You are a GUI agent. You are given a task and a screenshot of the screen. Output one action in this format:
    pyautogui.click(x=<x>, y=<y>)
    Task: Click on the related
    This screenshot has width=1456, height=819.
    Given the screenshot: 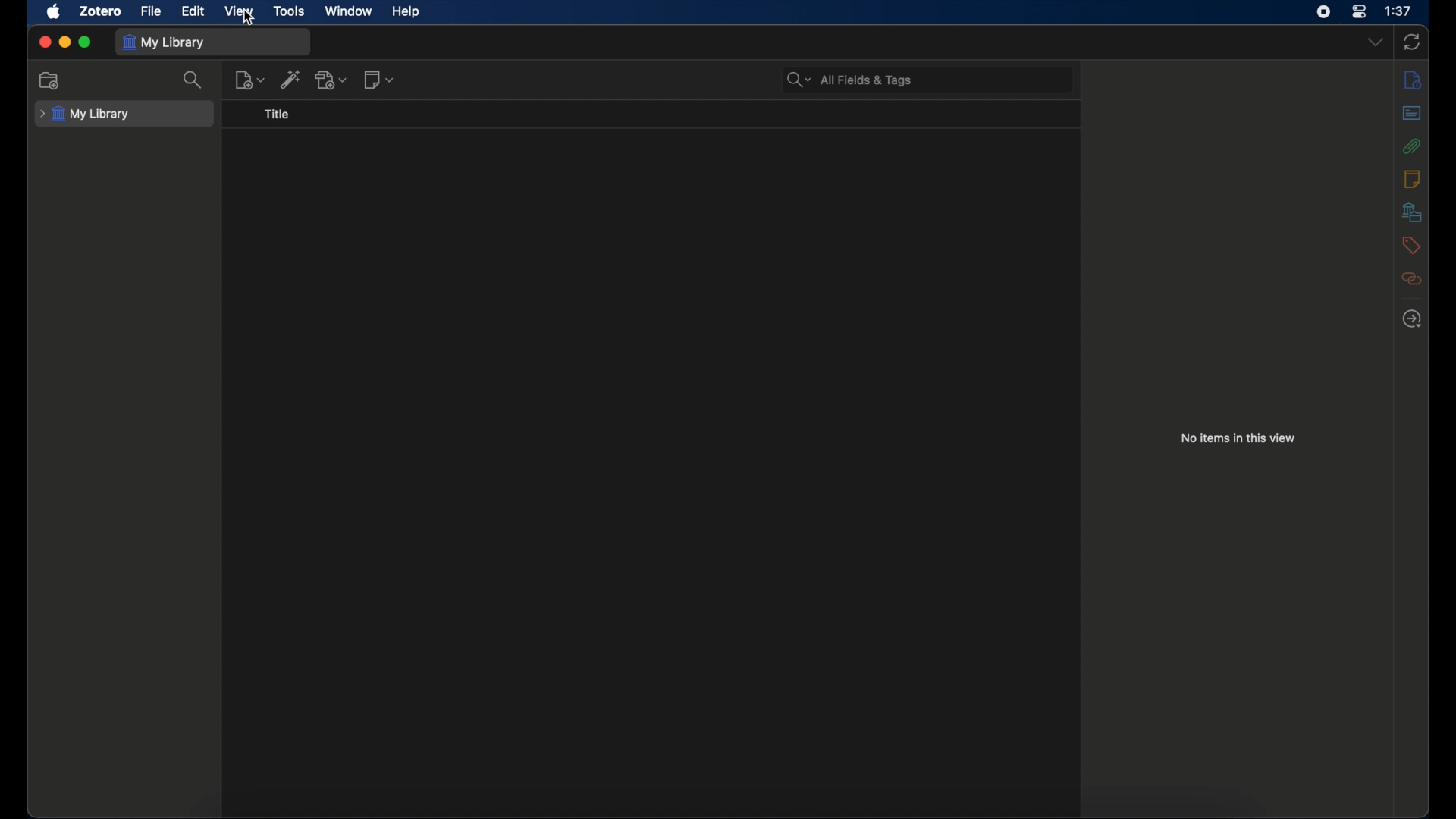 What is the action you would take?
    pyautogui.click(x=1414, y=278)
    